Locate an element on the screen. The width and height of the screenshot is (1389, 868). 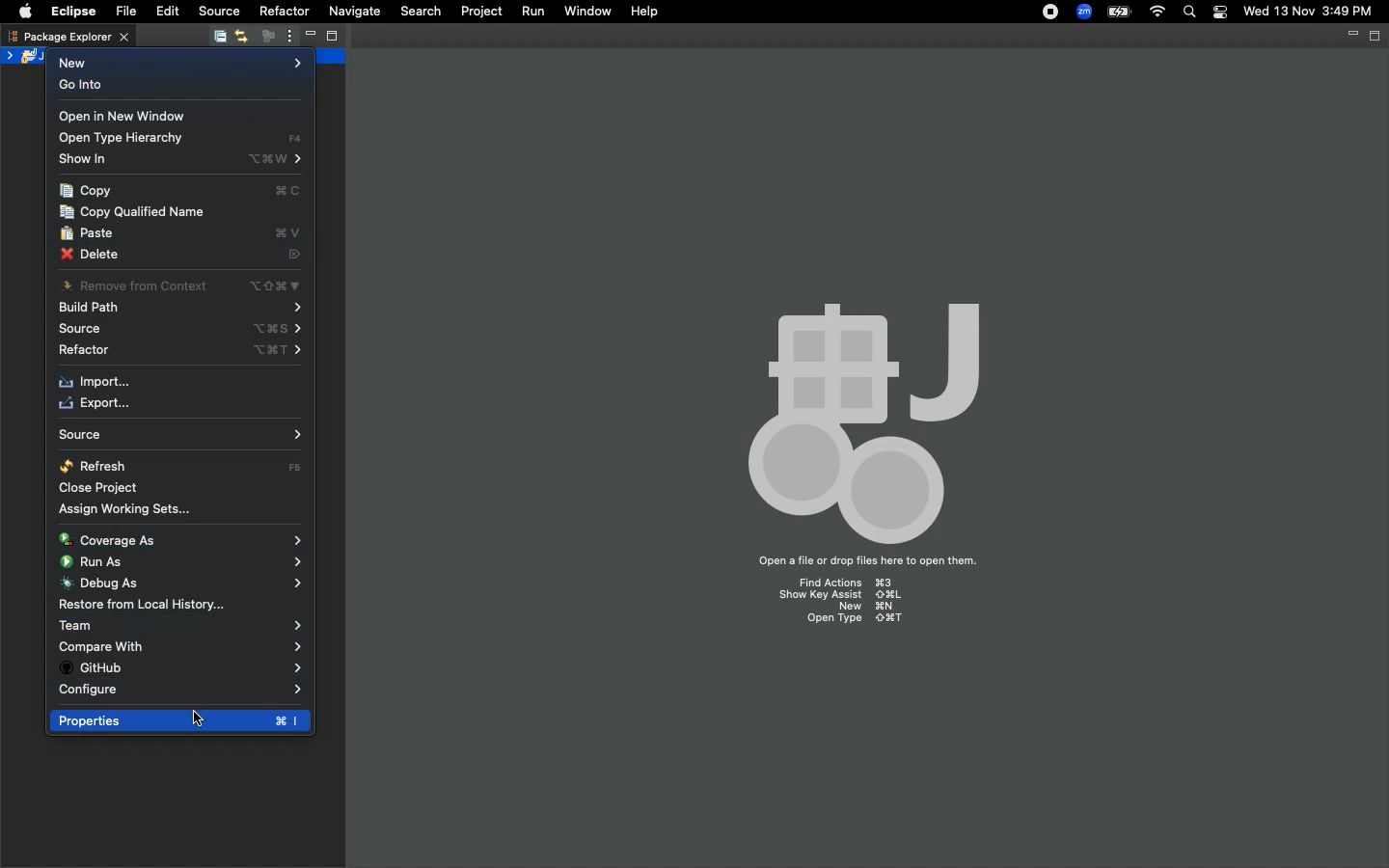
Source is located at coordinates (178, 327).